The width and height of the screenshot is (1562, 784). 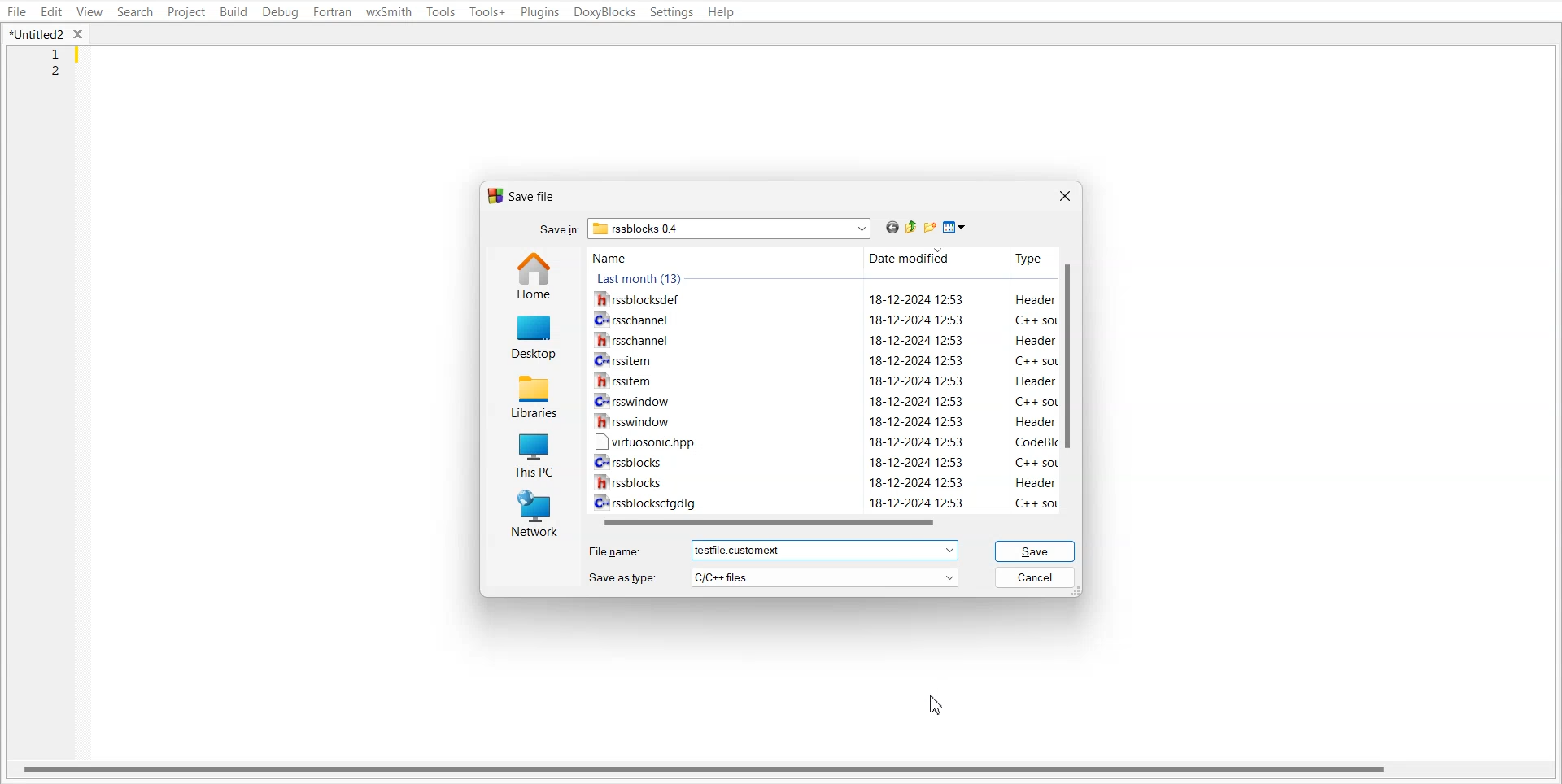 I want to click on Fortran, so click(x=333, y=11).